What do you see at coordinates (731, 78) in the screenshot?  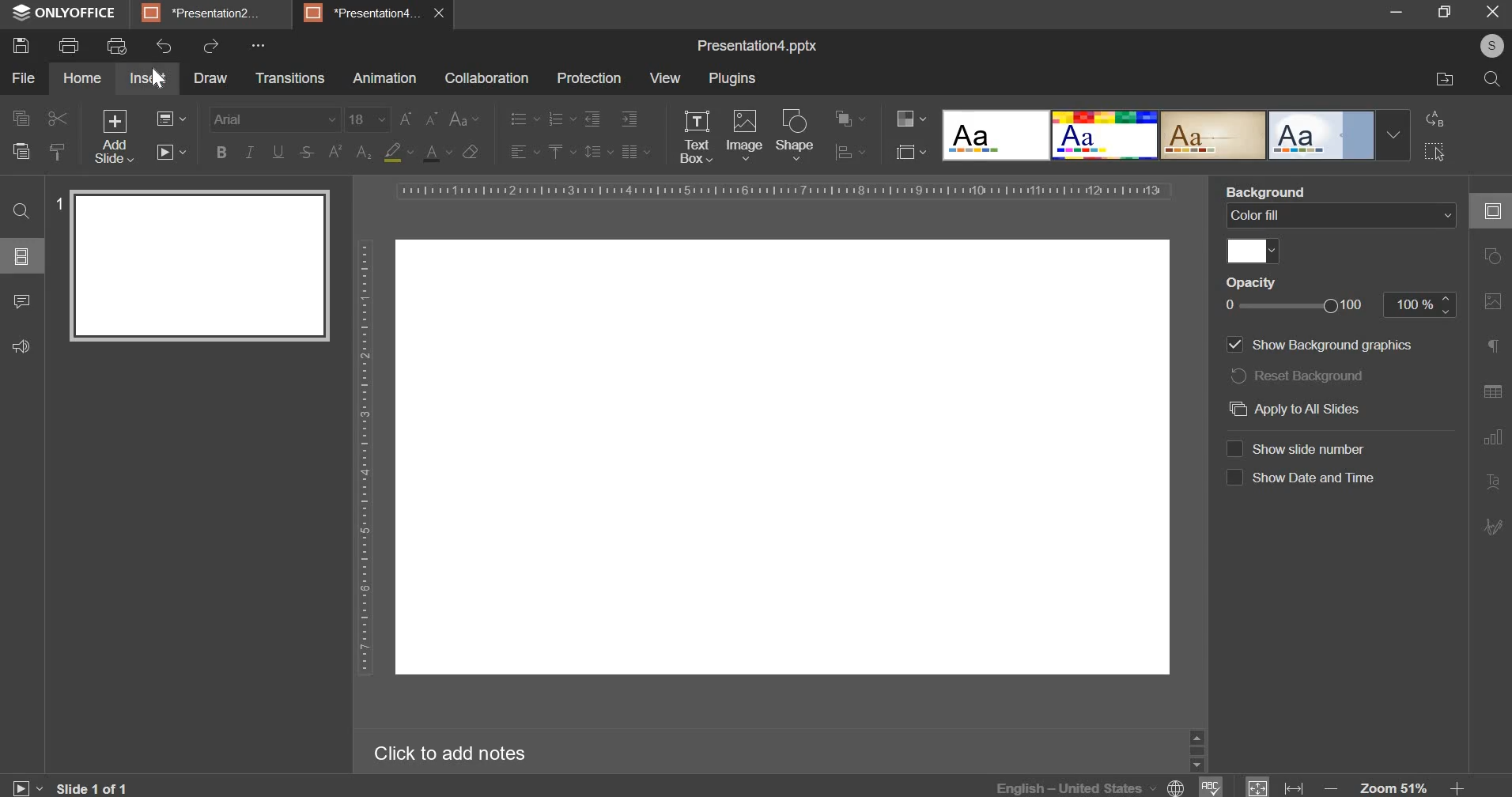 I see `plugins` at bounding box center [731, 78].